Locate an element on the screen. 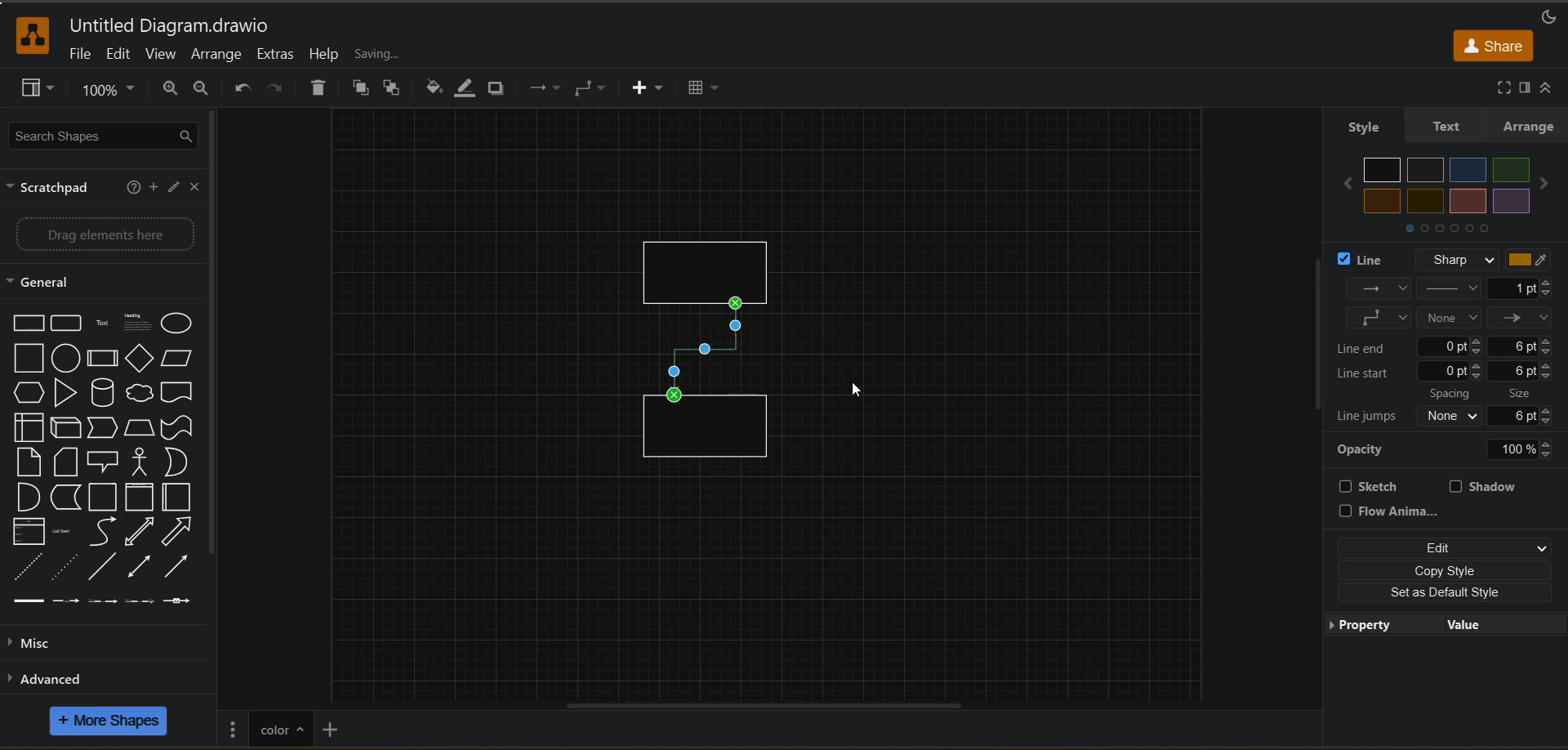 Image resolution: width=1568 pixels, height=750 pixels. waypoints is located at coordinates (542, 90).